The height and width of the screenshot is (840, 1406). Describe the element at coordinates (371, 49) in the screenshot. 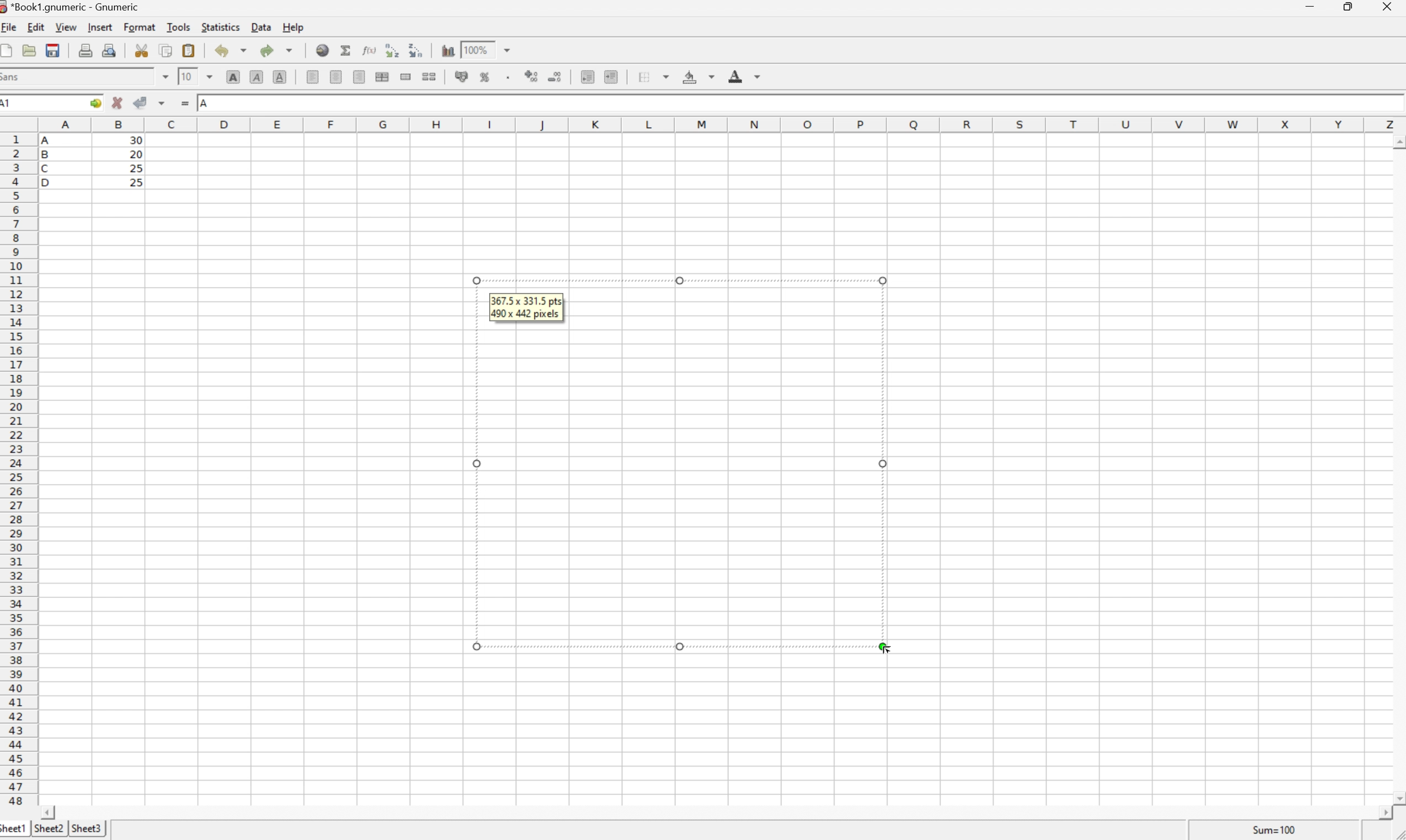

I see `Edit function in current cell` at that location.